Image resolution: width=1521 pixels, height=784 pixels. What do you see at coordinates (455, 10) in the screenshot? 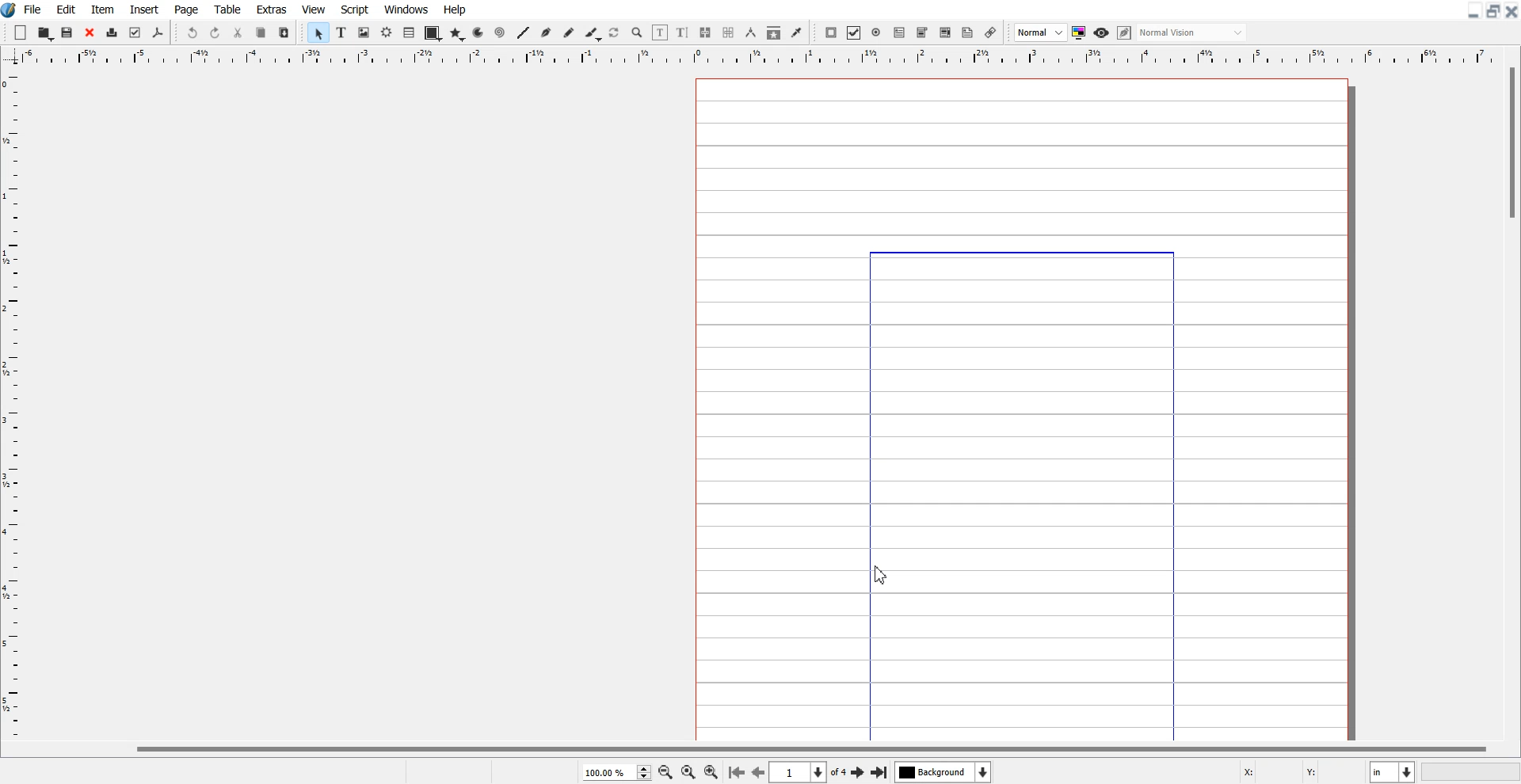
I see `Help` at bounding box center [455, 10].